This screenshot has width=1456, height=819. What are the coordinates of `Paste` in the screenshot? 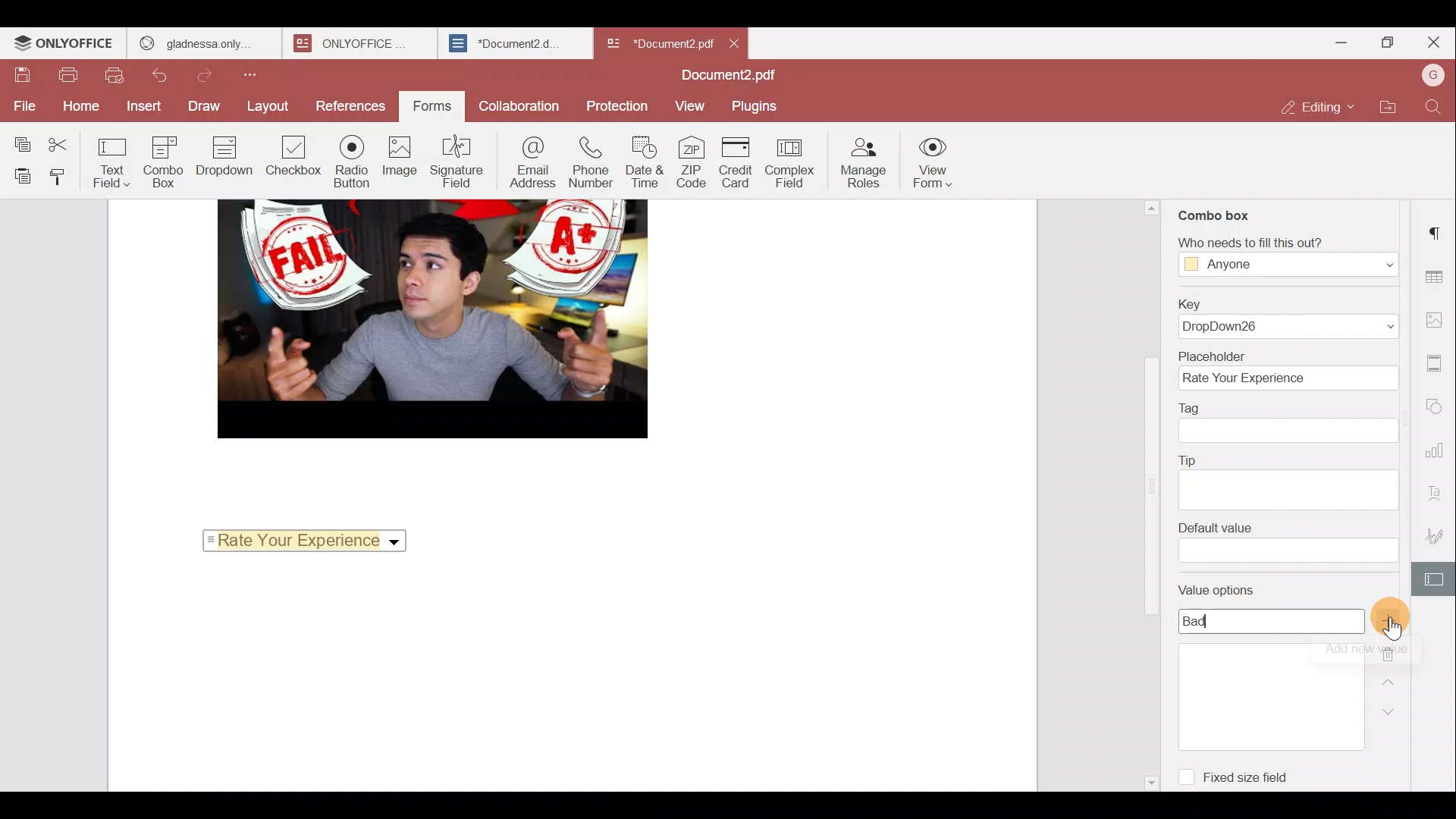 It's located at (20, 176).